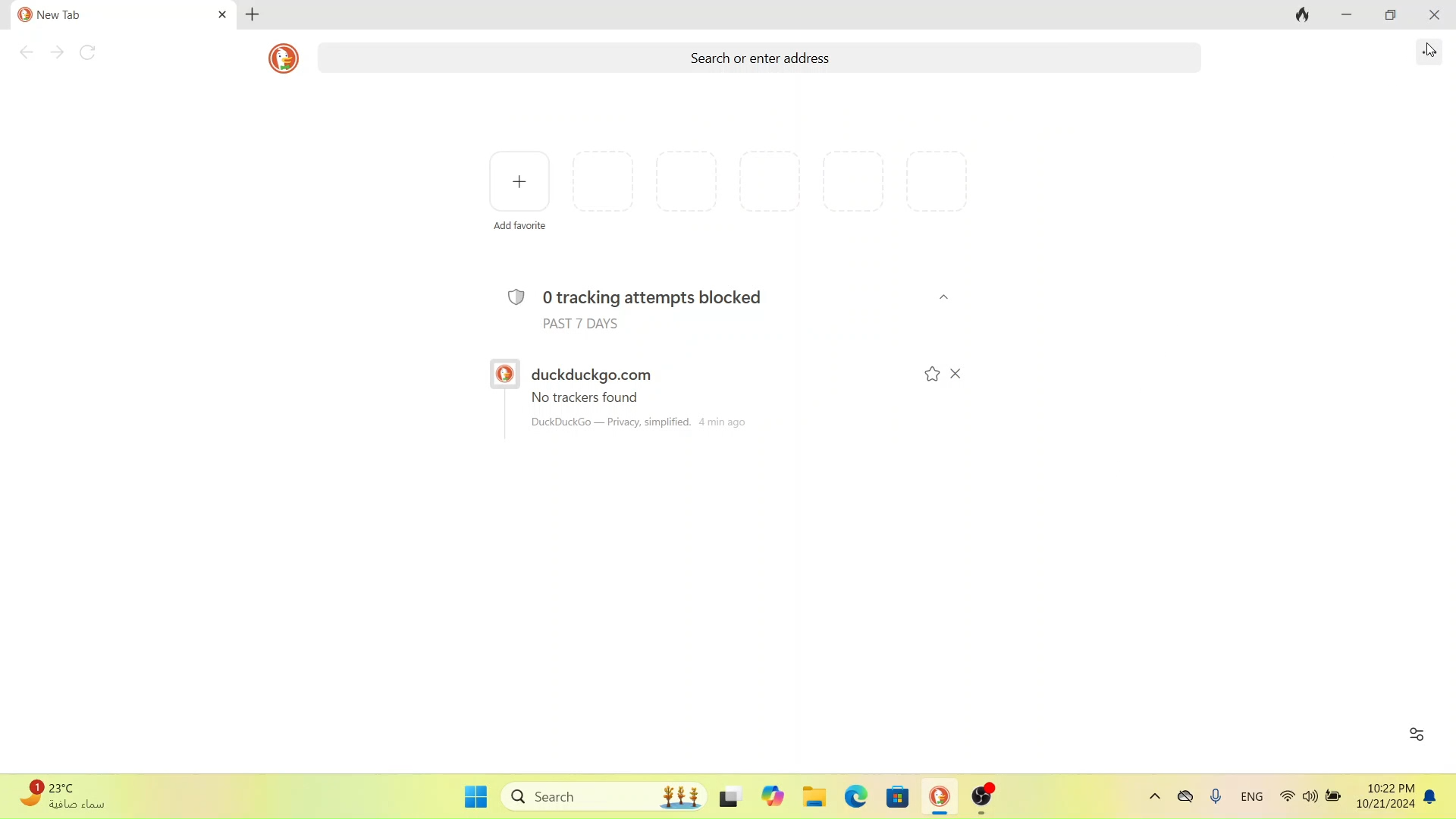 The height and width of the screenshot is (819, 1456). Describe the element at coordinates (1333, 801) in the screenshot. I see `battery` at that location.